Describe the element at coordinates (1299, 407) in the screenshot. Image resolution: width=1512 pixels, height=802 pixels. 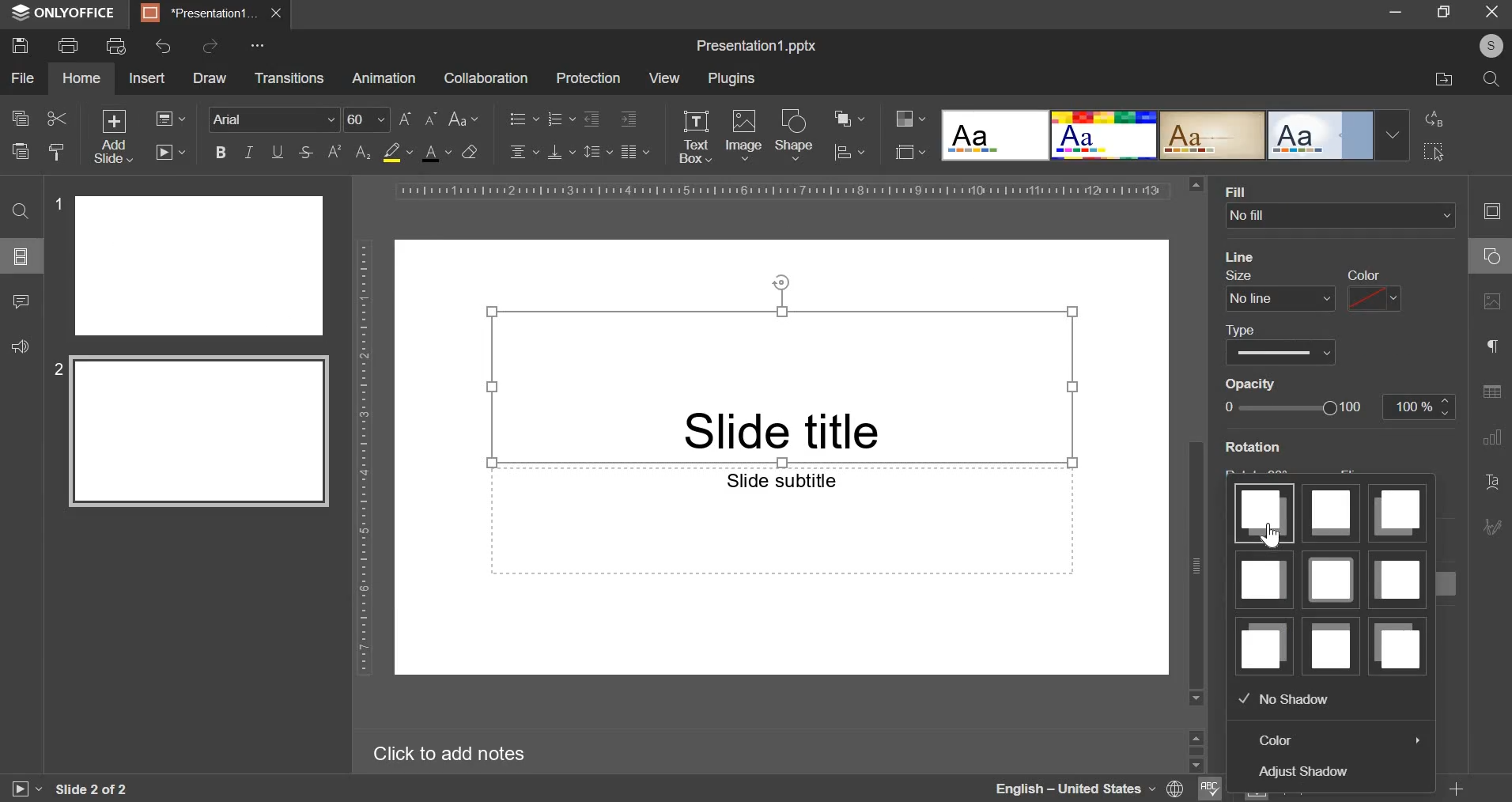
I see `opacity bar` at that location.